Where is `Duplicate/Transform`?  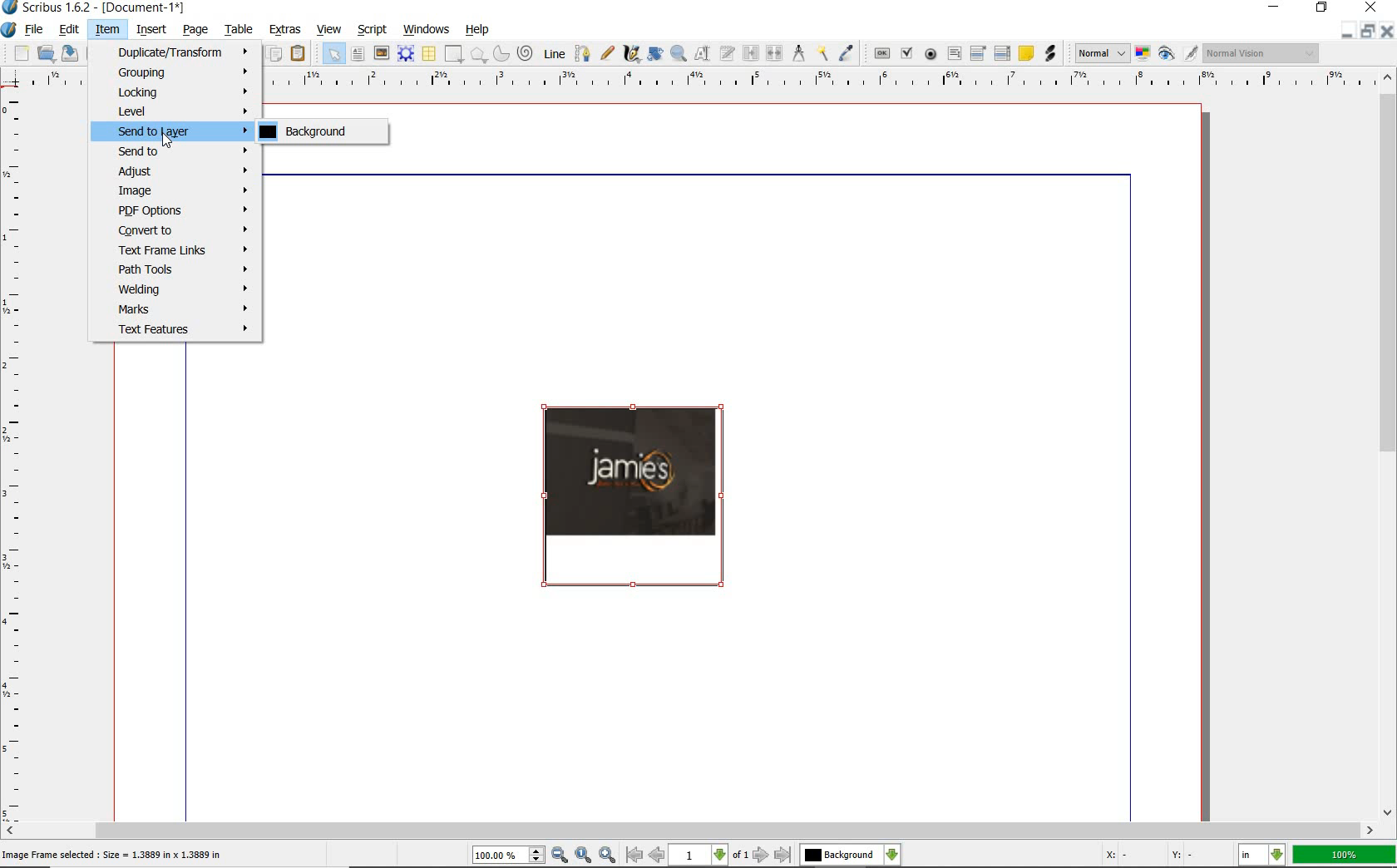 Duplicate/Transform is located at coordinates (175, 52).